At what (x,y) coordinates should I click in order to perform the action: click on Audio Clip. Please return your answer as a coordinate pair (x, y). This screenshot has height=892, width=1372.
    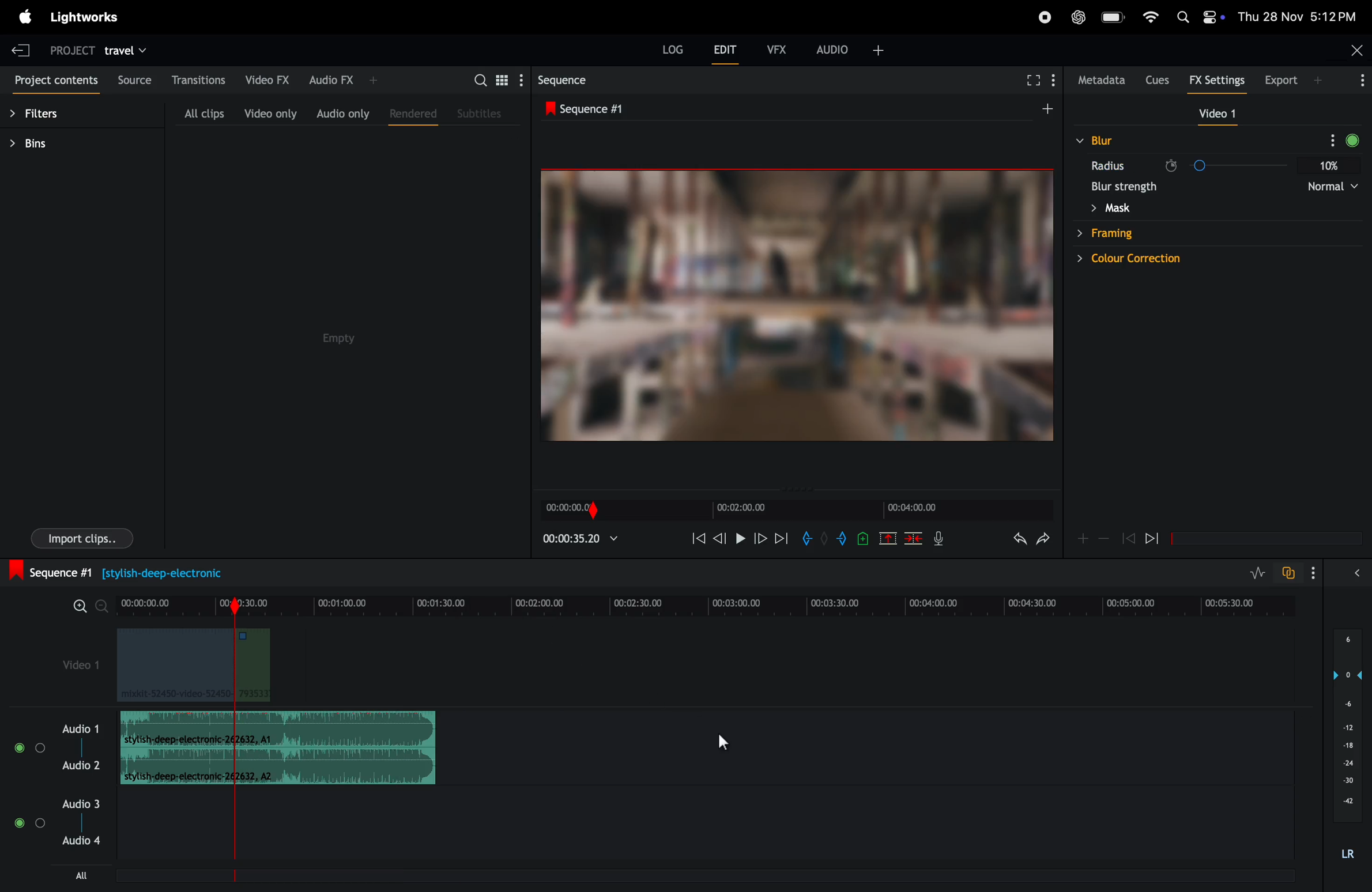
    Looking at the image, I should click on (277, 768).